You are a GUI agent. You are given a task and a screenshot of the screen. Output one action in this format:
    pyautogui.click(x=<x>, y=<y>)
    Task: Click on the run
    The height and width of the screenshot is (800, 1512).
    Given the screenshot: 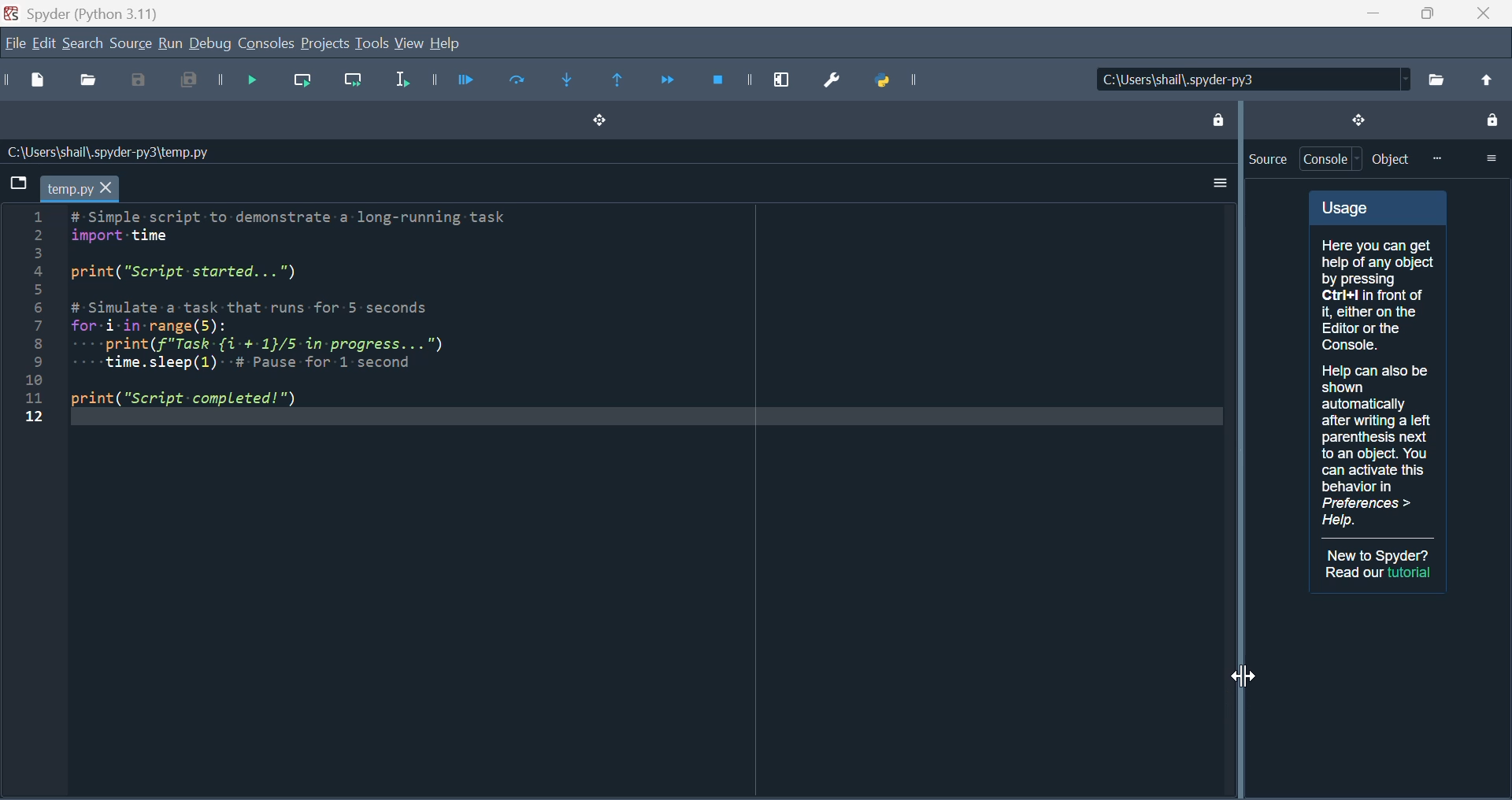 What is the action you would take?
    pyautogui.click(x=169, y=44)
    